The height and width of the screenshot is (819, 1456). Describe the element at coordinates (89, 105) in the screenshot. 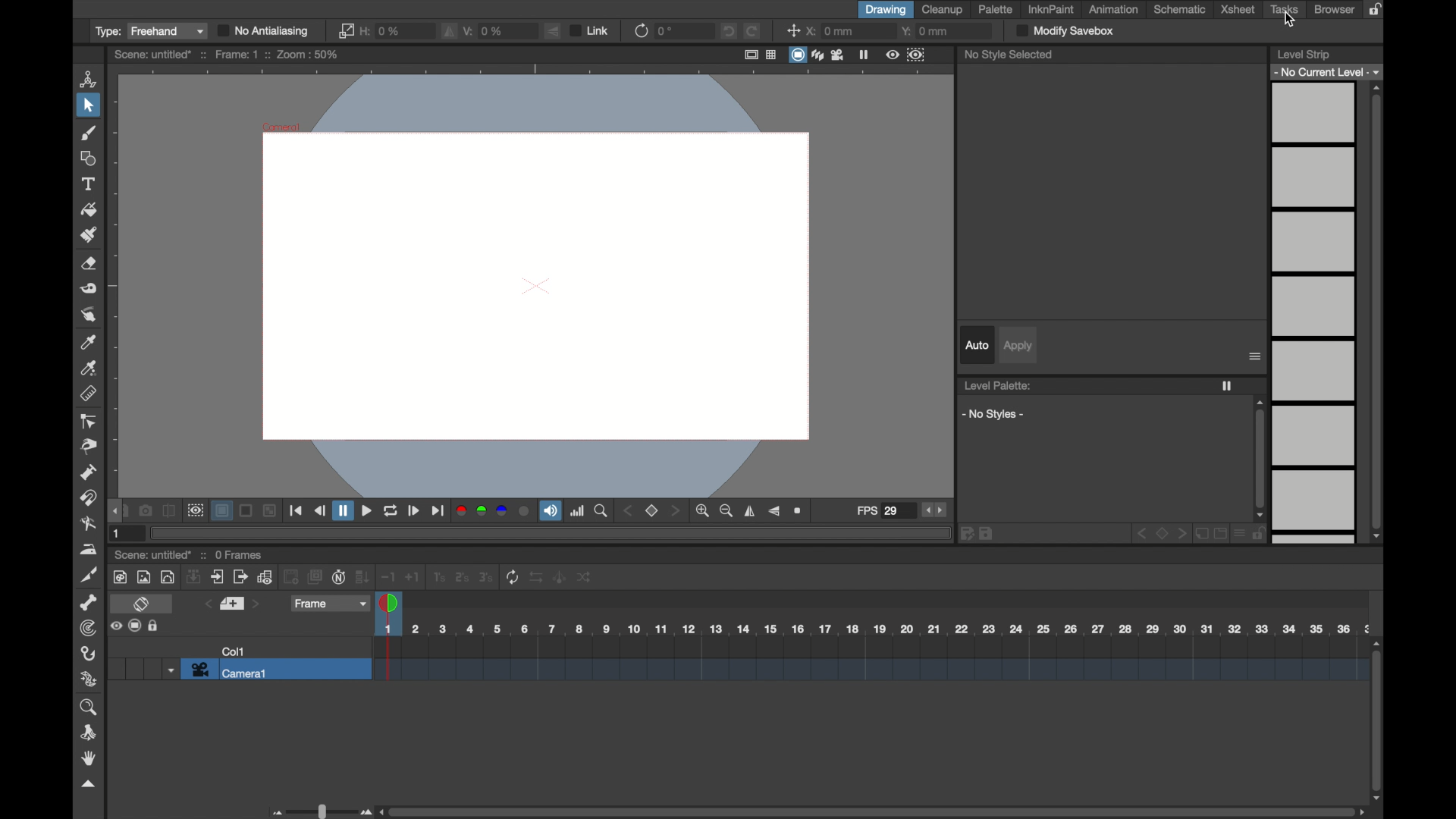

I see `selection tool` at that location.